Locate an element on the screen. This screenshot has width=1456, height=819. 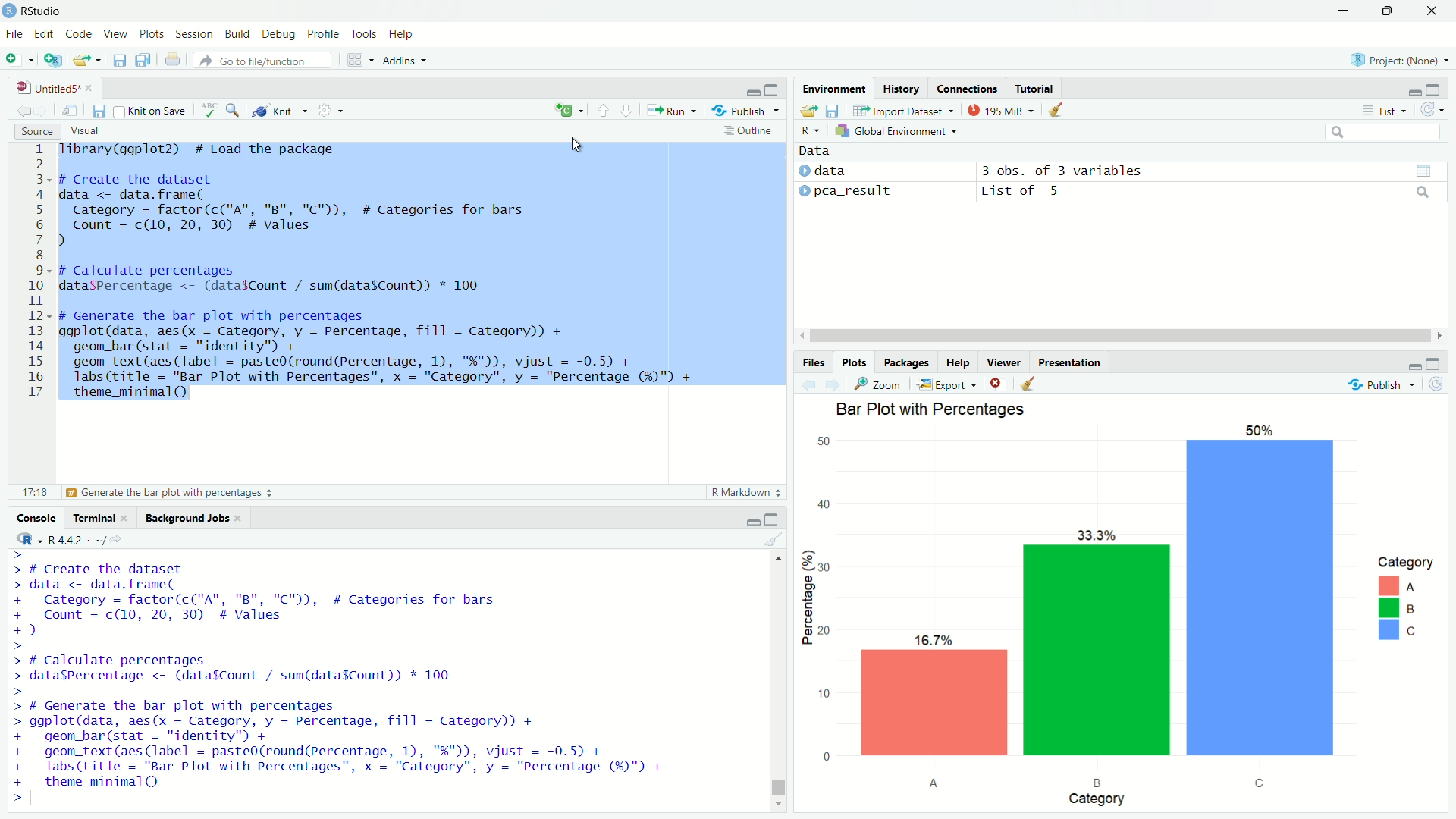
save all is located at coordinates (146, 60).